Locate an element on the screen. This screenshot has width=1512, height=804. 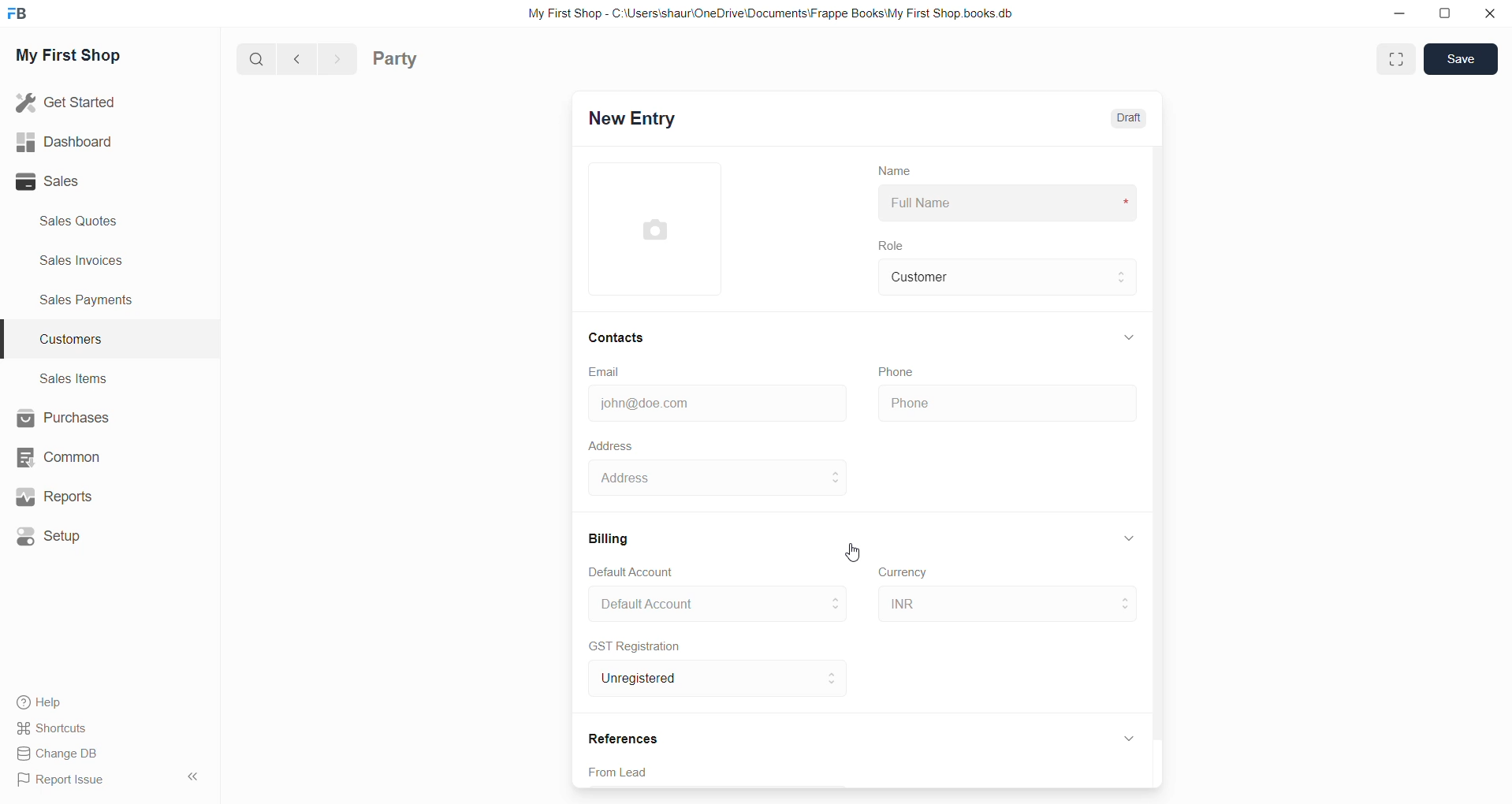
cursor is located at coordinates (846, 553).